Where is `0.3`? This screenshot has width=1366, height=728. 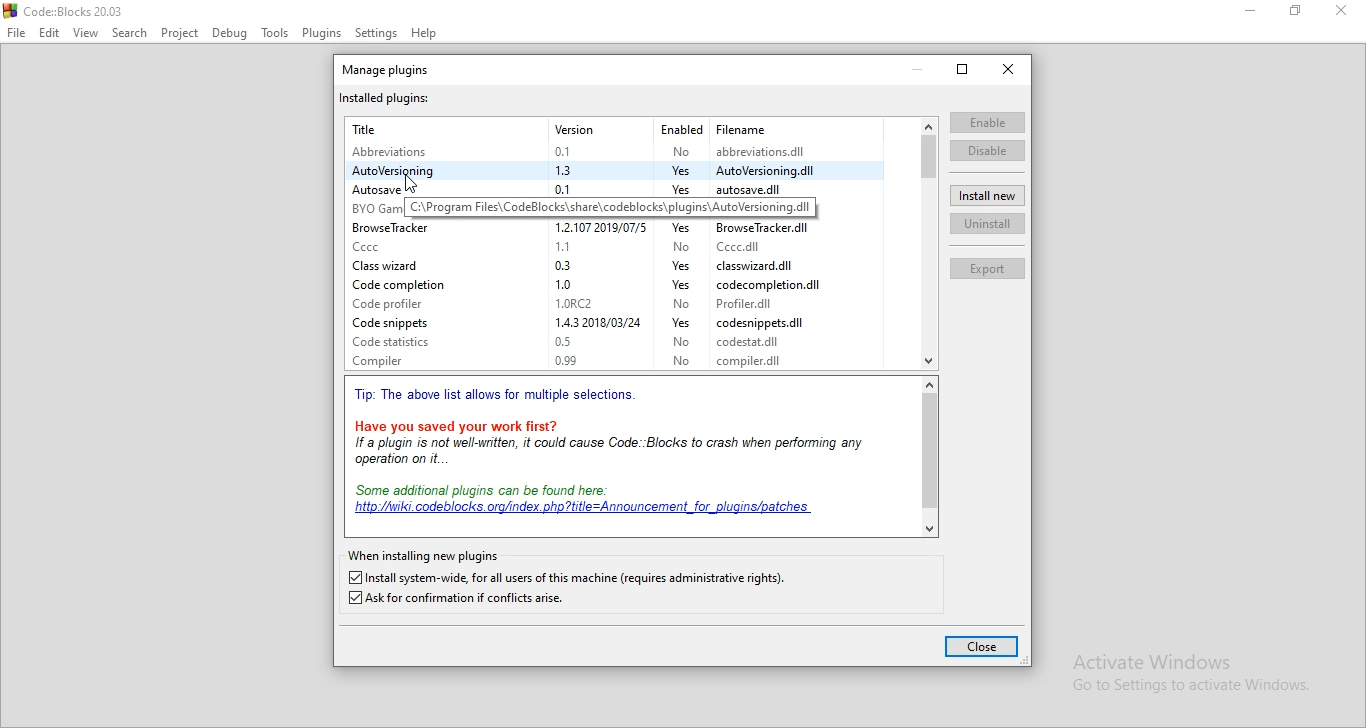 0.3 is located at coordinates (569, 263).